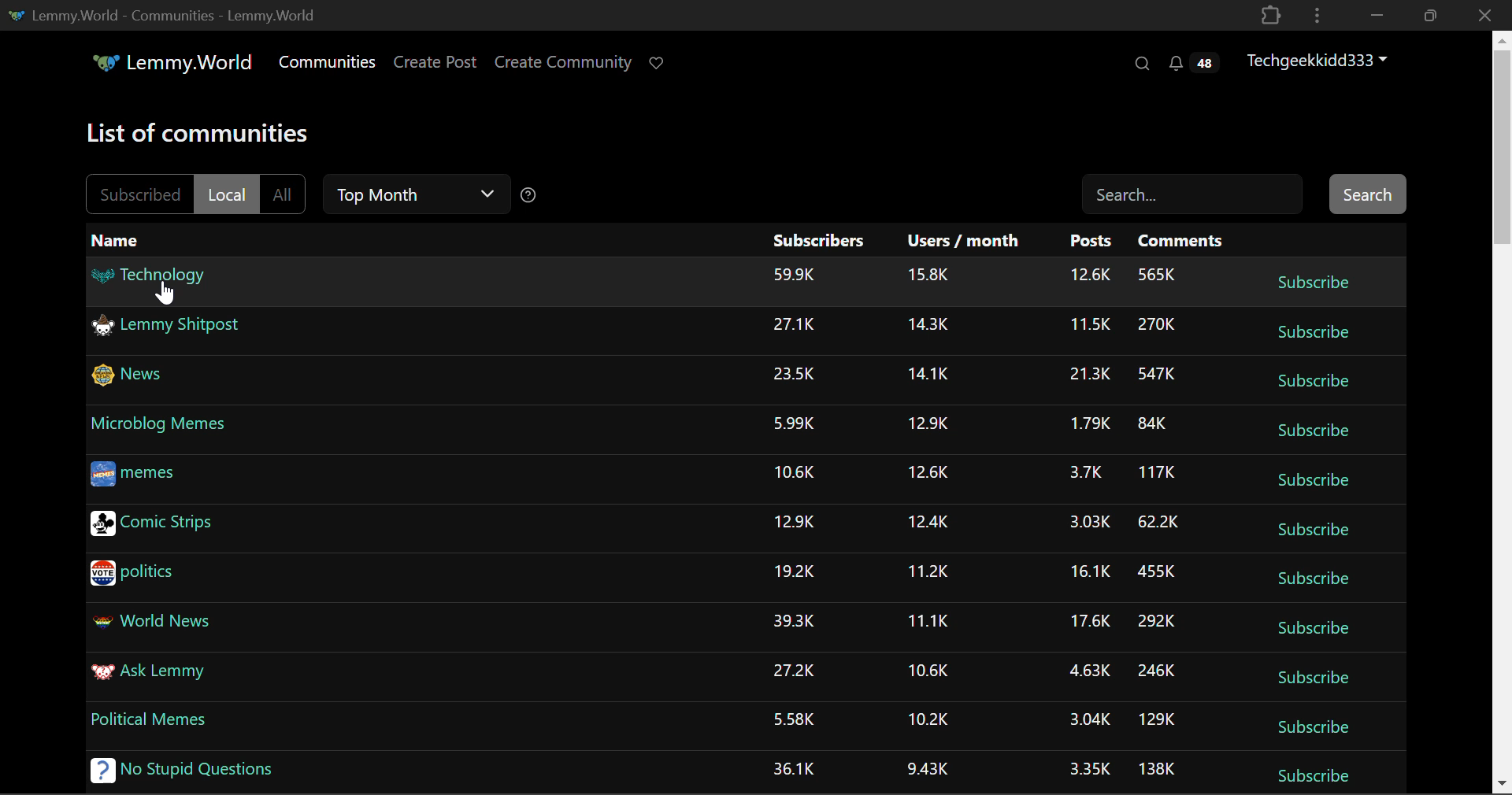 This screenshot has height=795, width=1512. I want to click on Scroll Bar, so click(1503, 409).